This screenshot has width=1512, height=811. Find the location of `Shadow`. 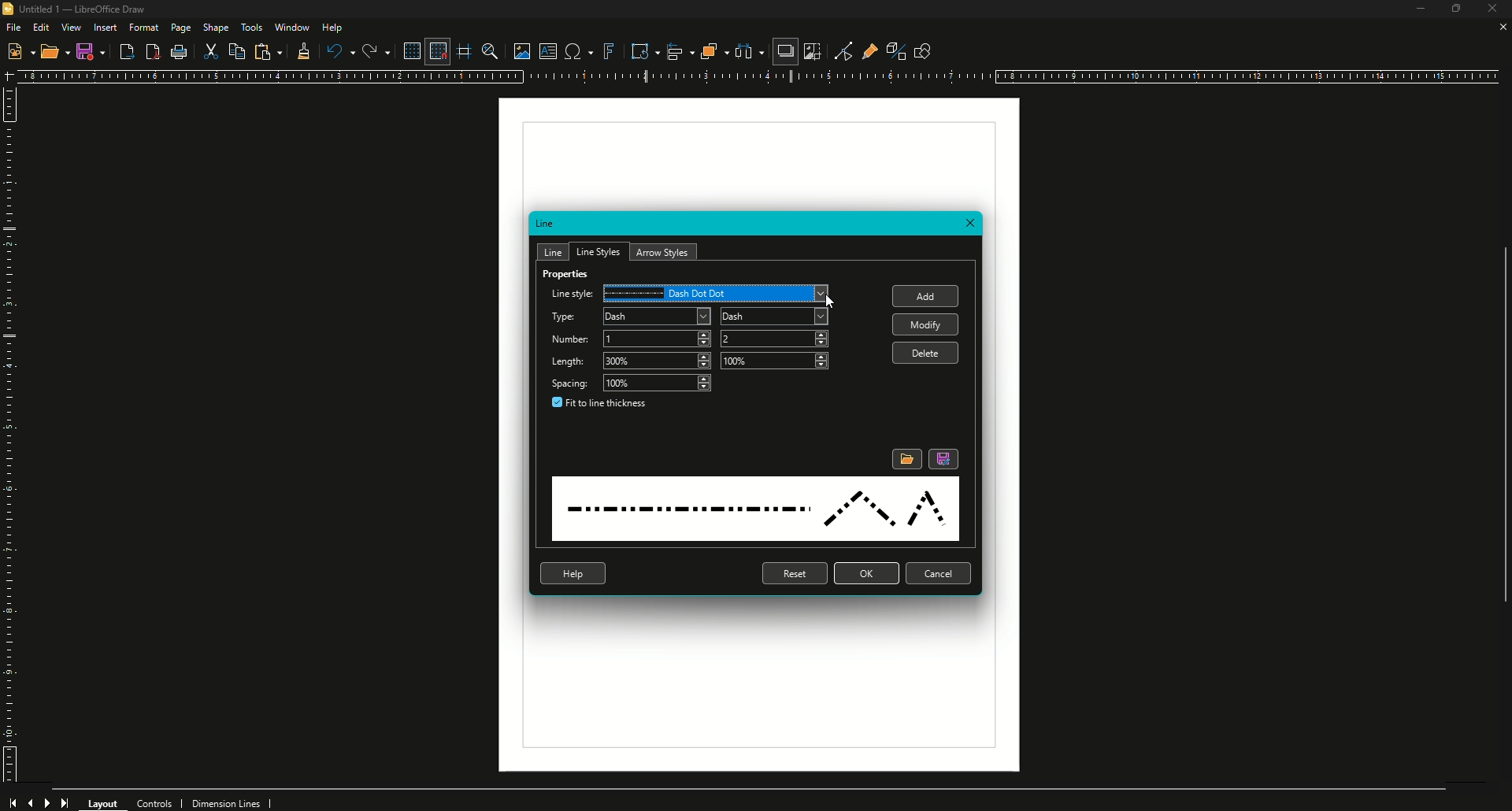

Shadow is located at coordinates (784, 53).